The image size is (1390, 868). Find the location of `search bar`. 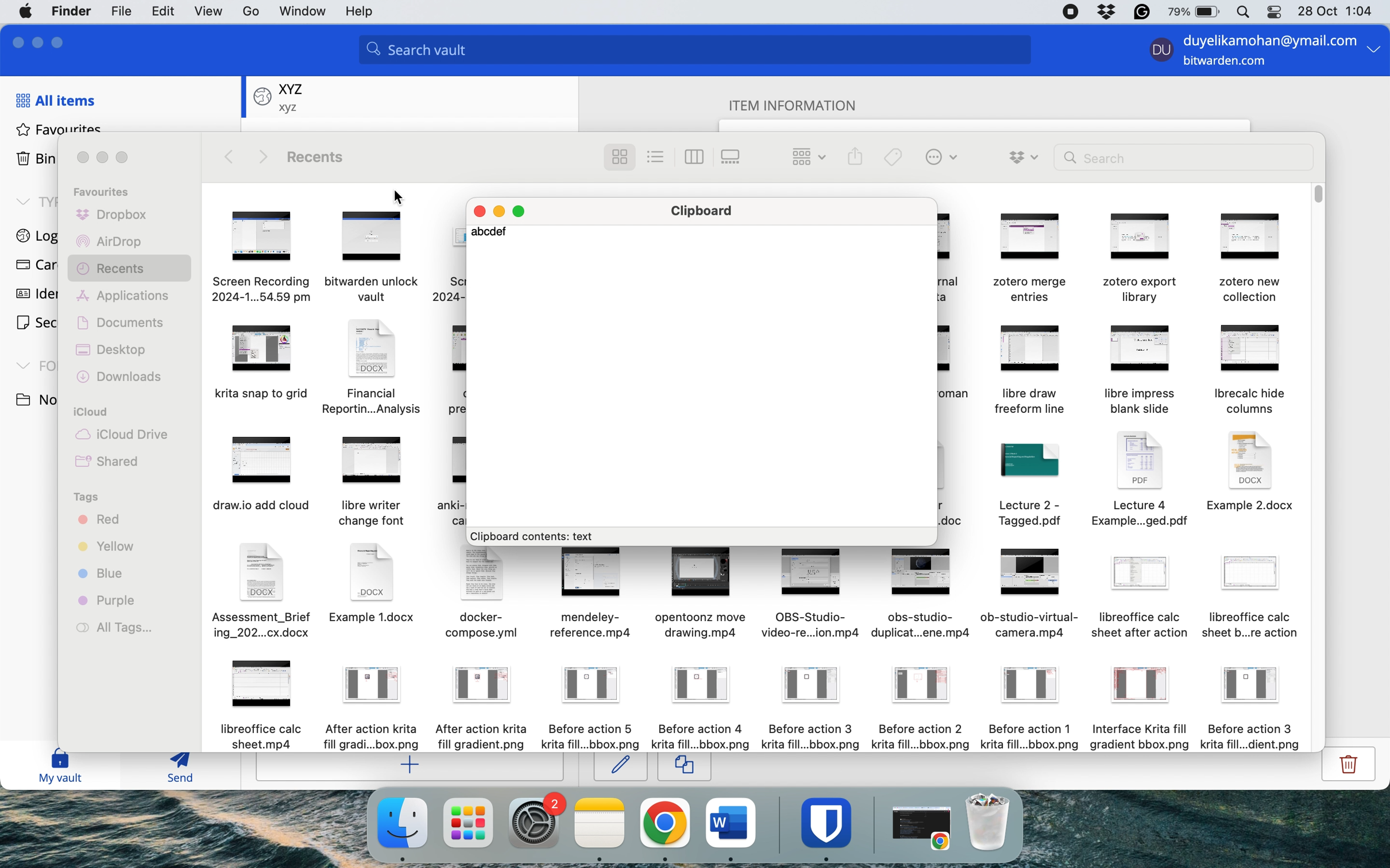

search bar is located at coordinates (1184, 157).